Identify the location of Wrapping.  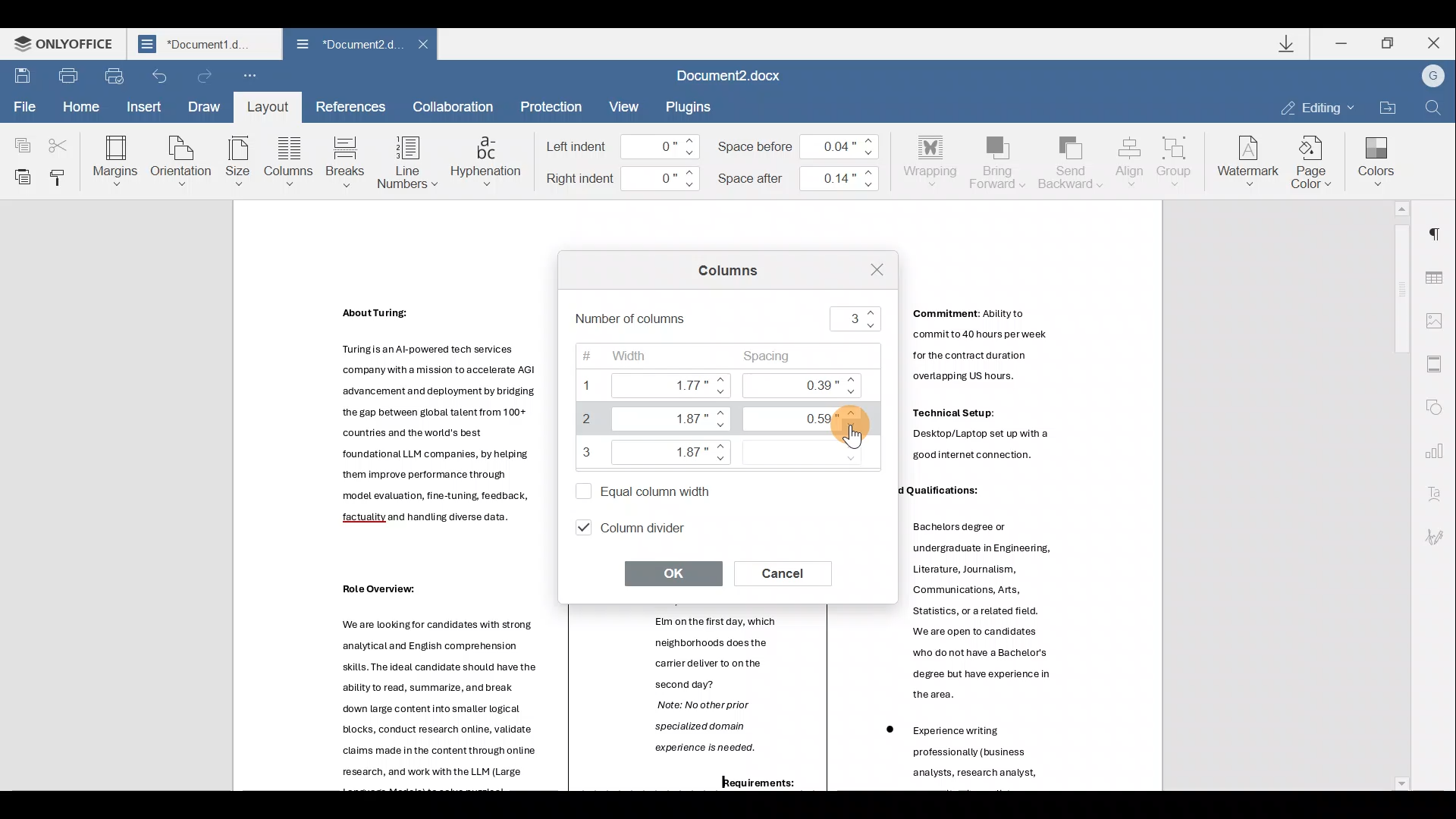
(934, 158).